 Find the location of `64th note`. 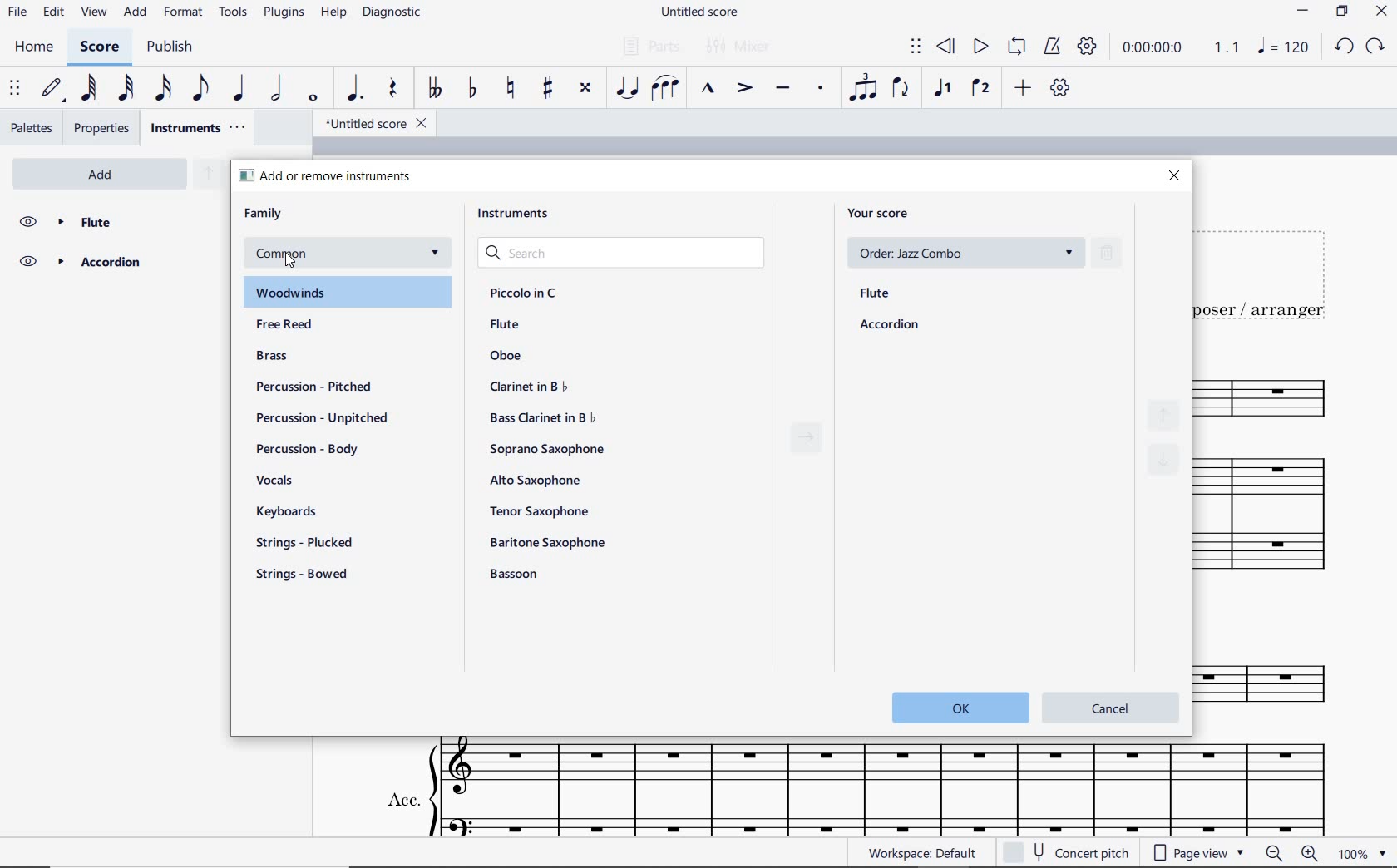

64th note is located at coordinates (89, 88).